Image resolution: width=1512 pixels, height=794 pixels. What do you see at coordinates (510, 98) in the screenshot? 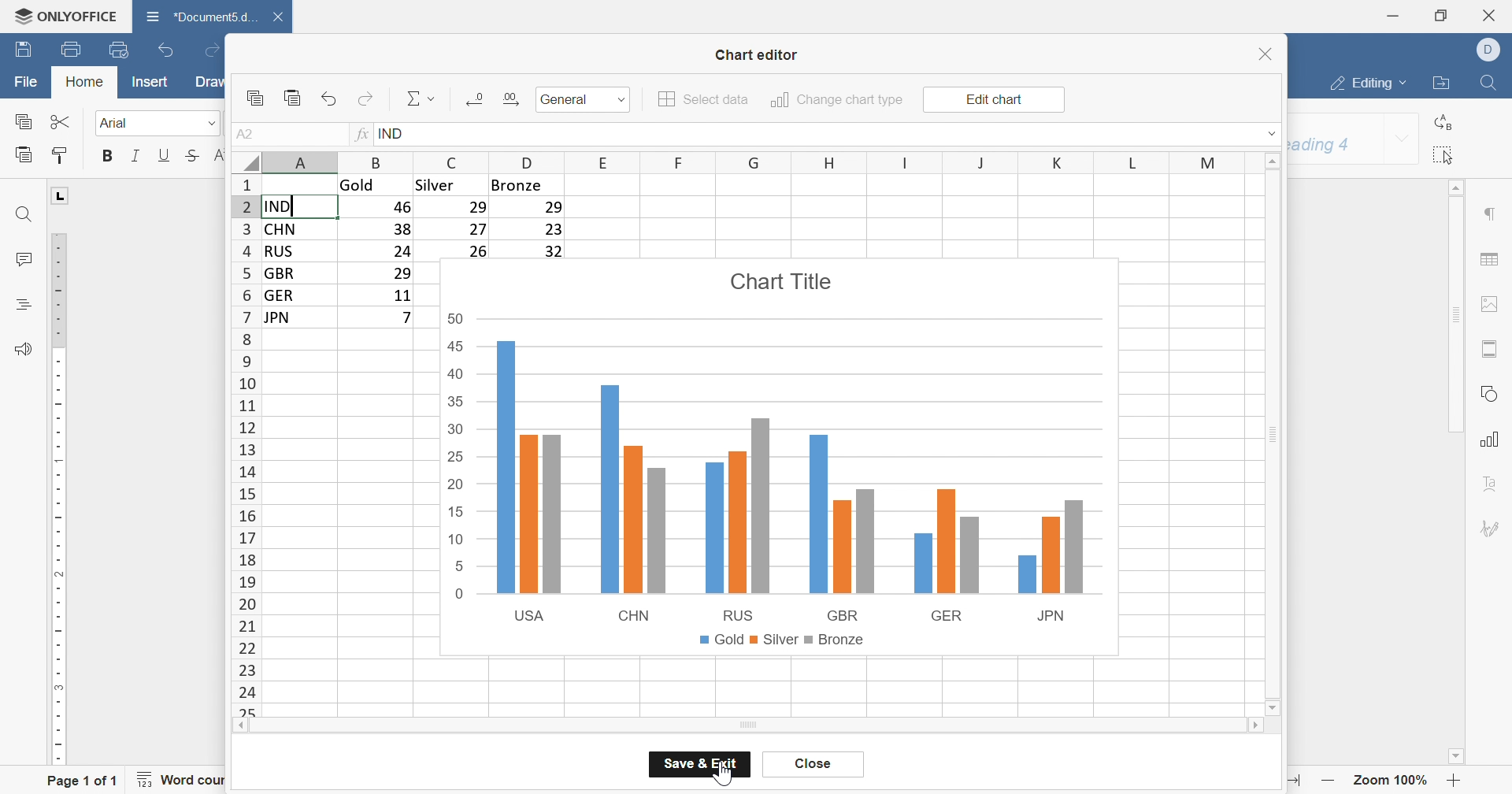
I see `Increase decimal places` at bounding box center [510, 98].